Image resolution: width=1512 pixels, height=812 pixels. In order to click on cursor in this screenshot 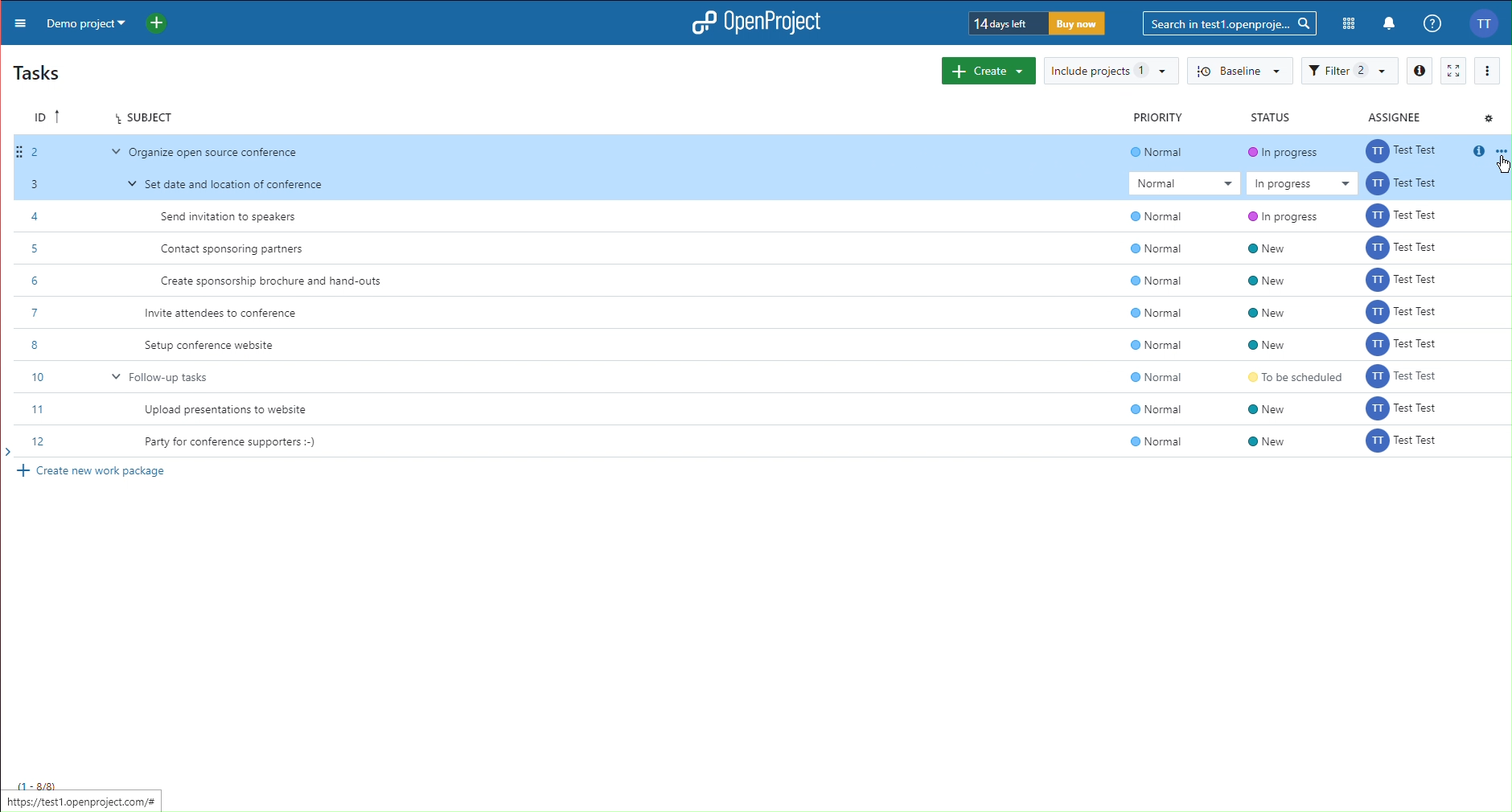, I will do `click(1496, 165)`.